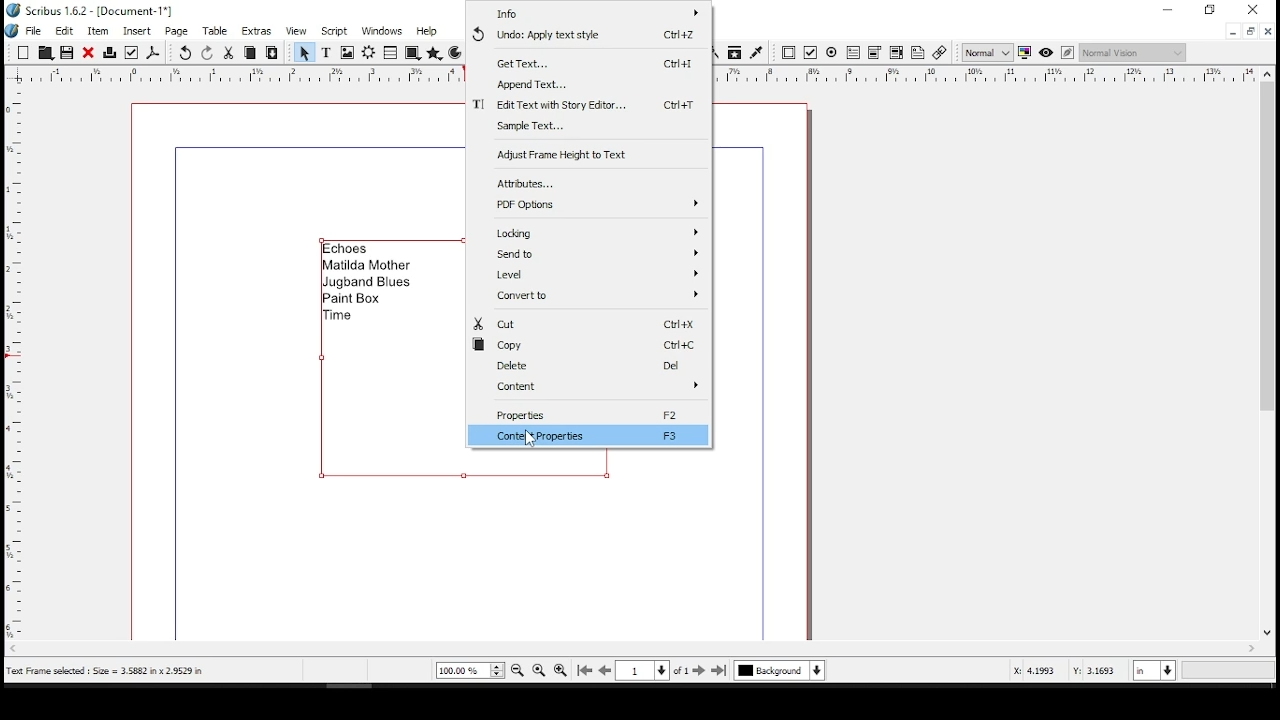 The height and width of the screenshot is (720, 1280). I want to click on minimize, so click(1232, 32).